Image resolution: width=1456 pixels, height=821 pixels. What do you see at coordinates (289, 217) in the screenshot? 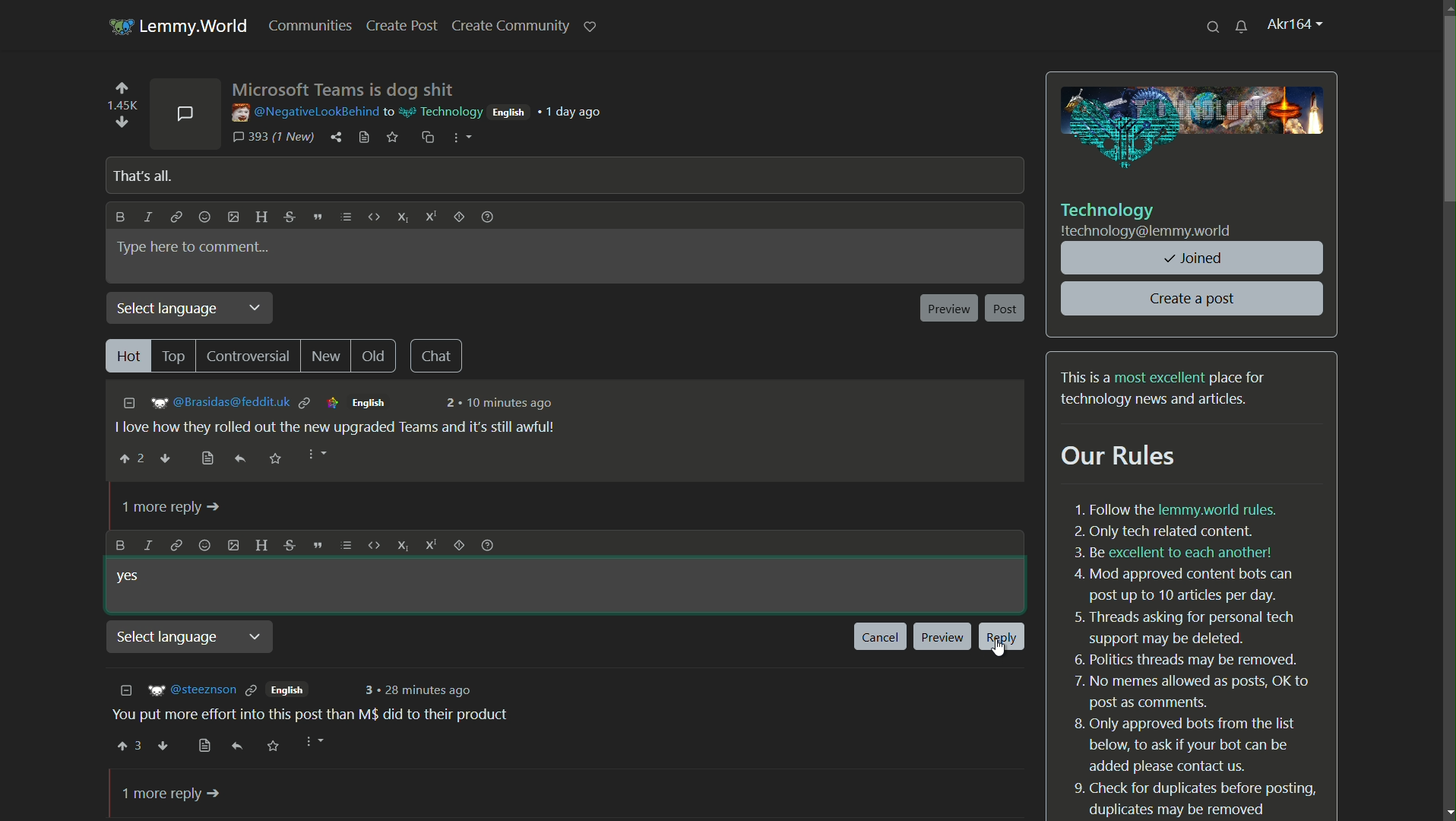
I see `strikethrough` at bounding box center [289, 217].